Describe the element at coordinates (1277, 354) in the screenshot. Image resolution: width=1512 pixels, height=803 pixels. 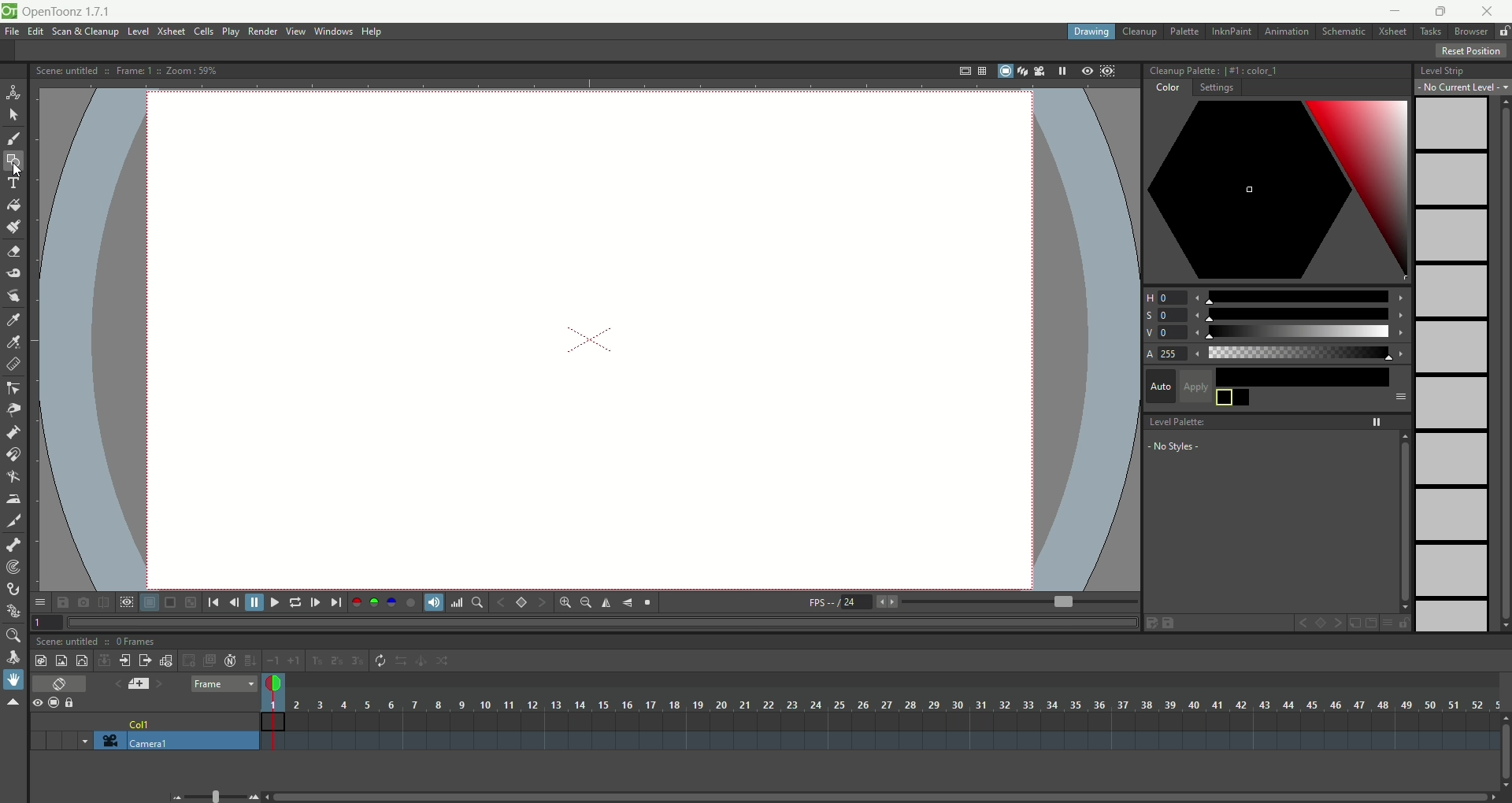
I see `alpha` at that location.